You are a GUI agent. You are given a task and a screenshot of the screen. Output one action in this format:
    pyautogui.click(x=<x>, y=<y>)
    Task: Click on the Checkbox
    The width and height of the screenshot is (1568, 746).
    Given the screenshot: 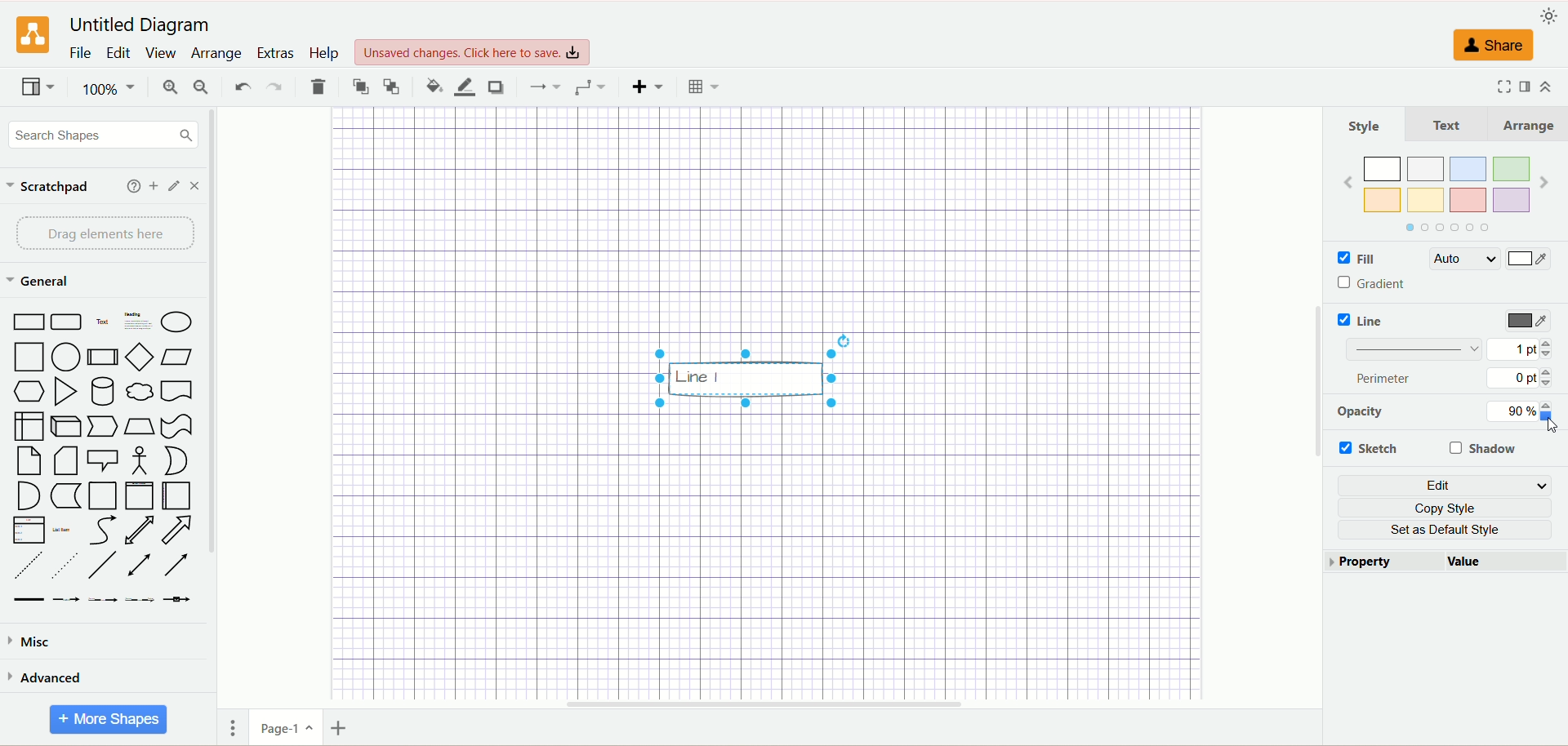 What is the action you would take?
    pyautogui.click(x=1343, y=282)
    